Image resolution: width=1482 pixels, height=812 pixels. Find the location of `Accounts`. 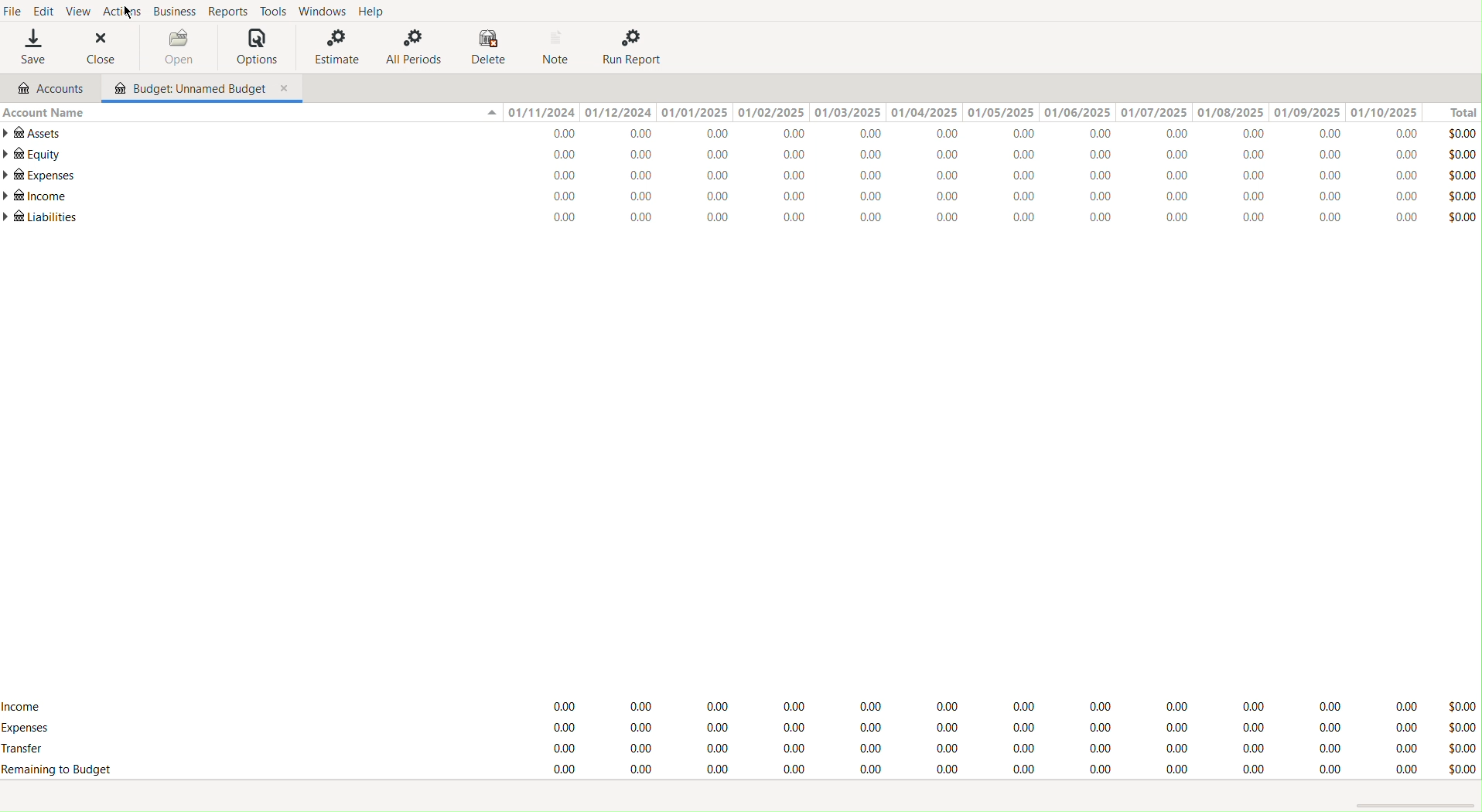

Accounts is located at coordinates (49, 87).